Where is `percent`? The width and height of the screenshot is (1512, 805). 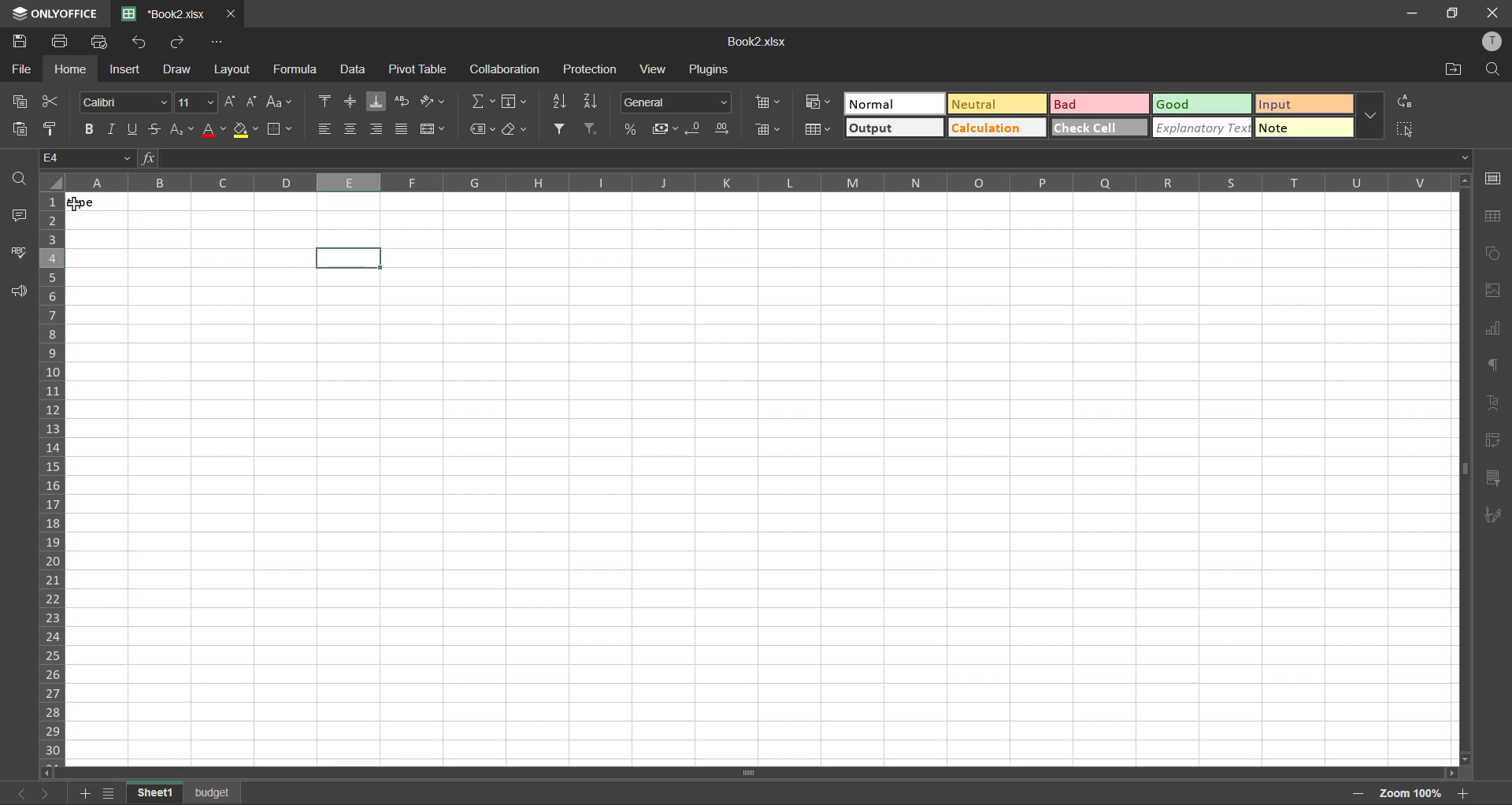 percent is located at coordinates (628, 128).